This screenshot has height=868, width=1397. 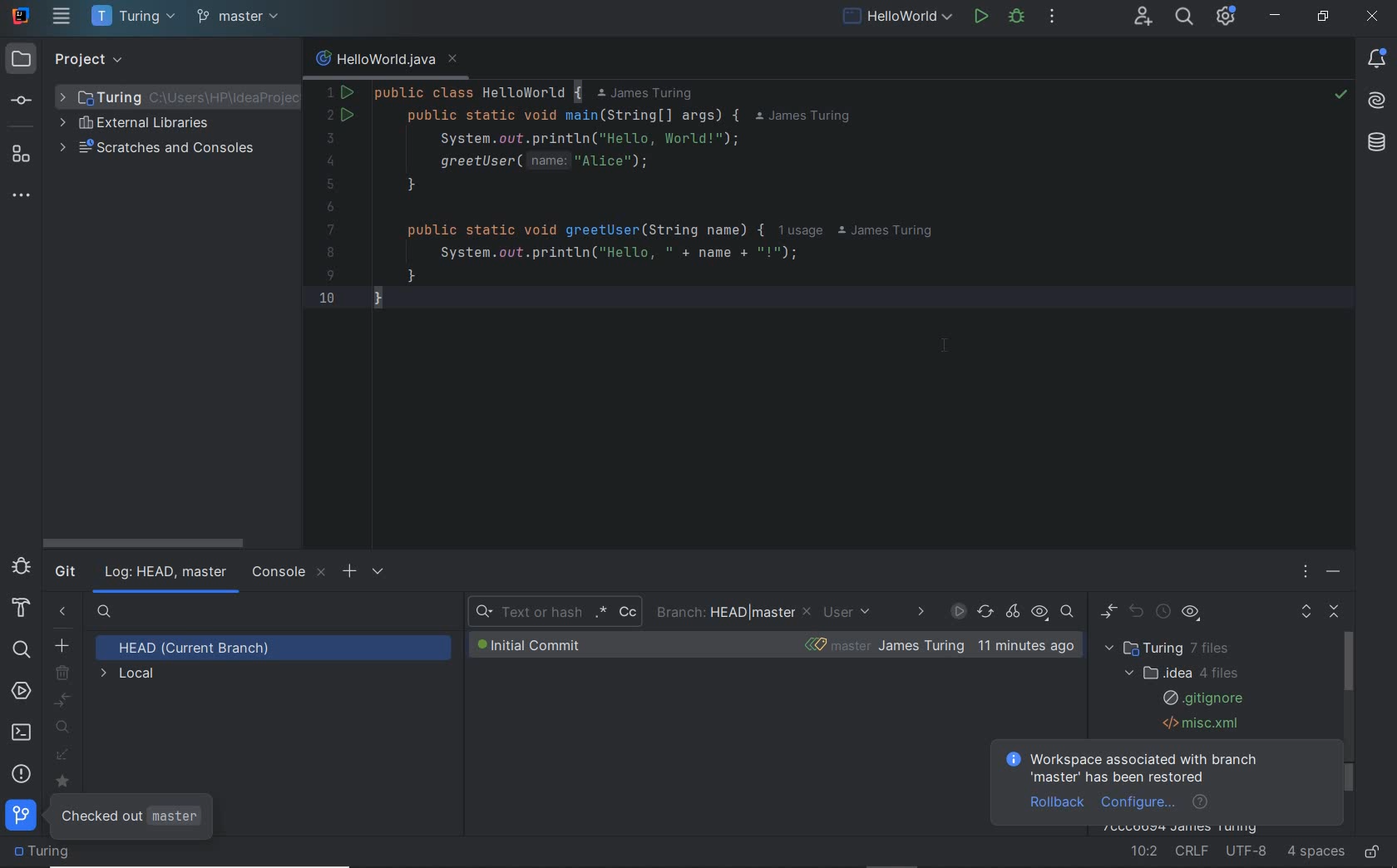 I want to click on bug-fixes, so click(x=247, y=18).